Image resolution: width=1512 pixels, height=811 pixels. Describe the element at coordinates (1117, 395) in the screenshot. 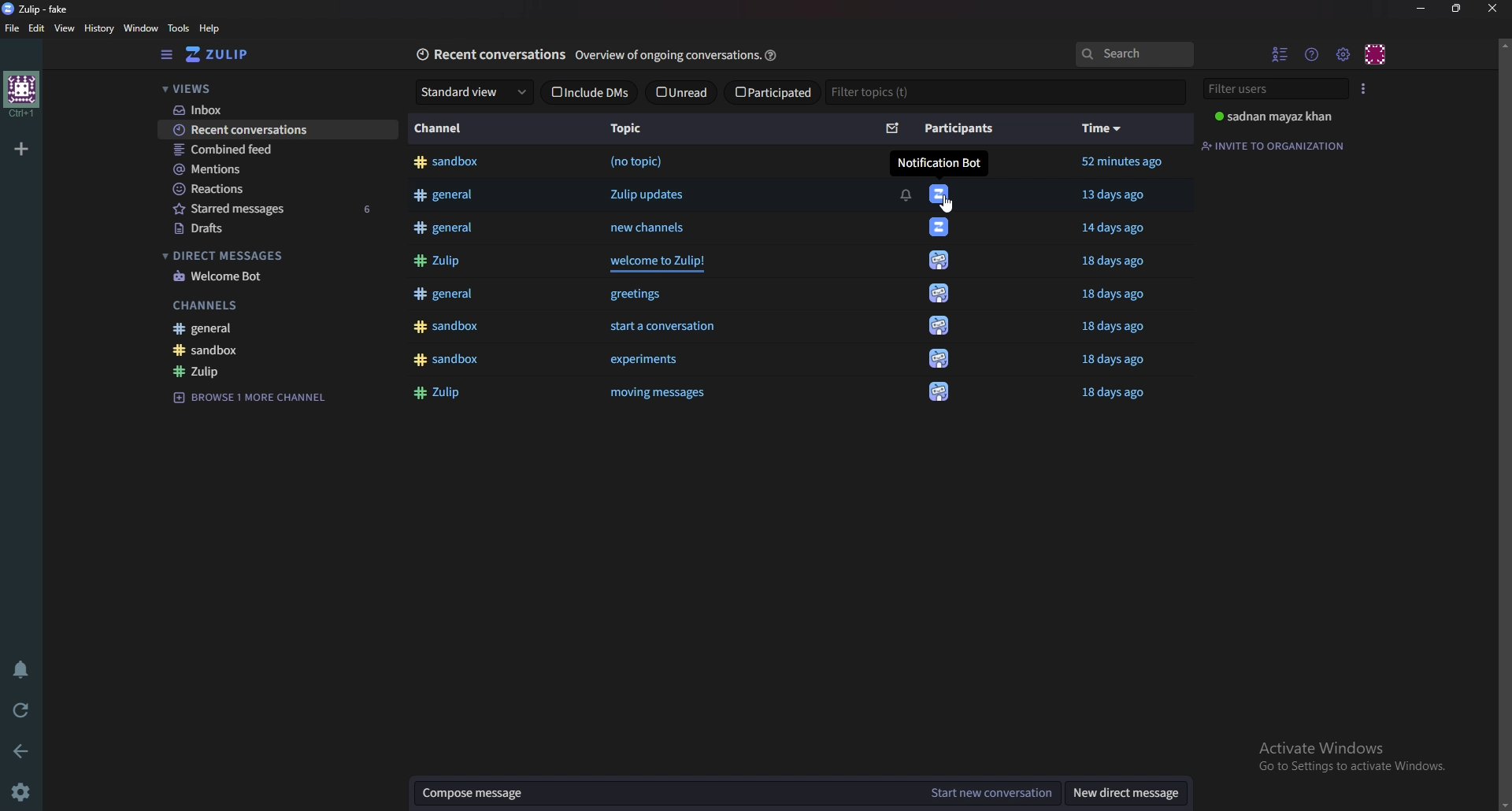

I see `18 days ago` at that location.